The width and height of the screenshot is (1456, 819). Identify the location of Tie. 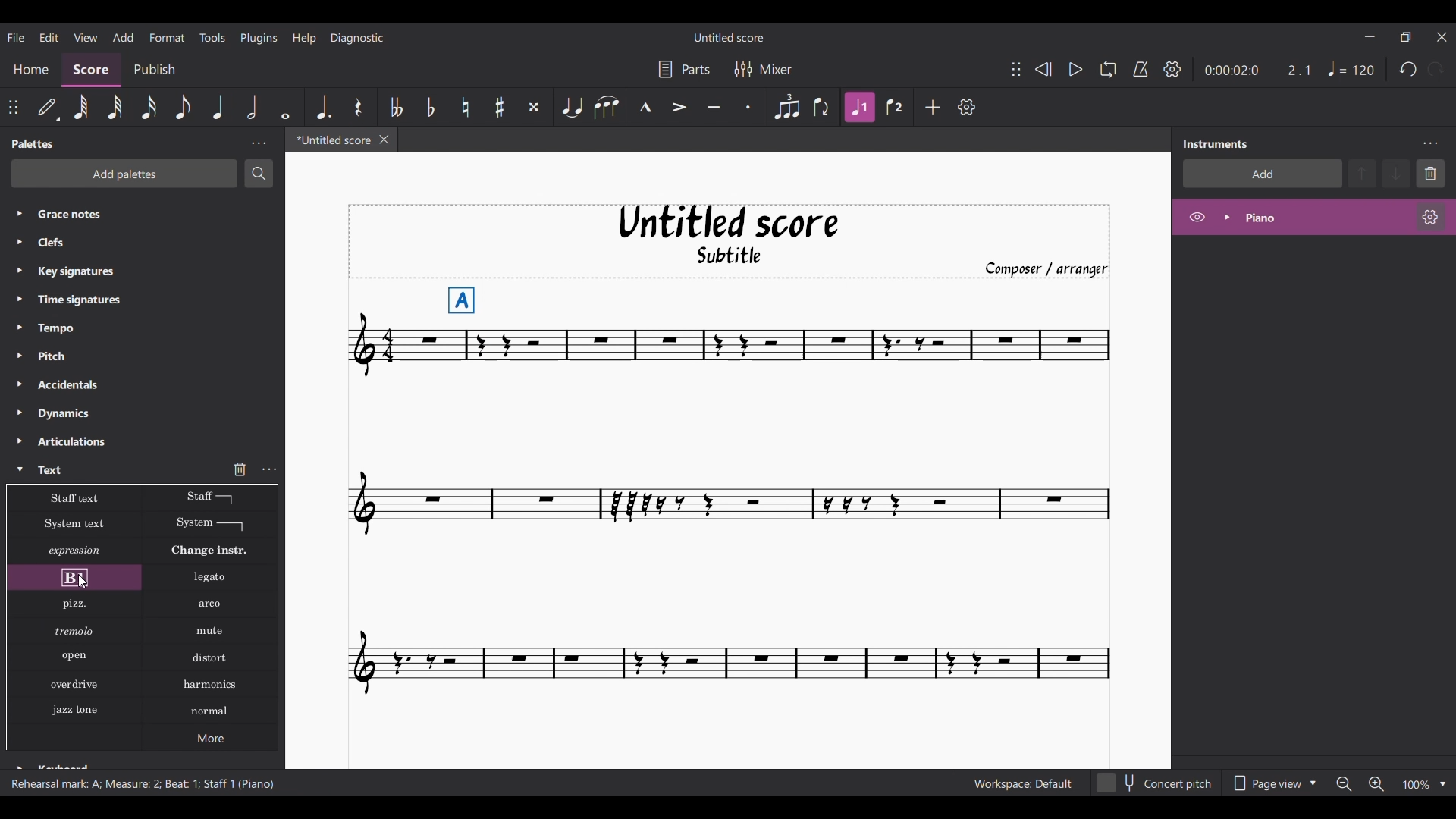
(571, 107).